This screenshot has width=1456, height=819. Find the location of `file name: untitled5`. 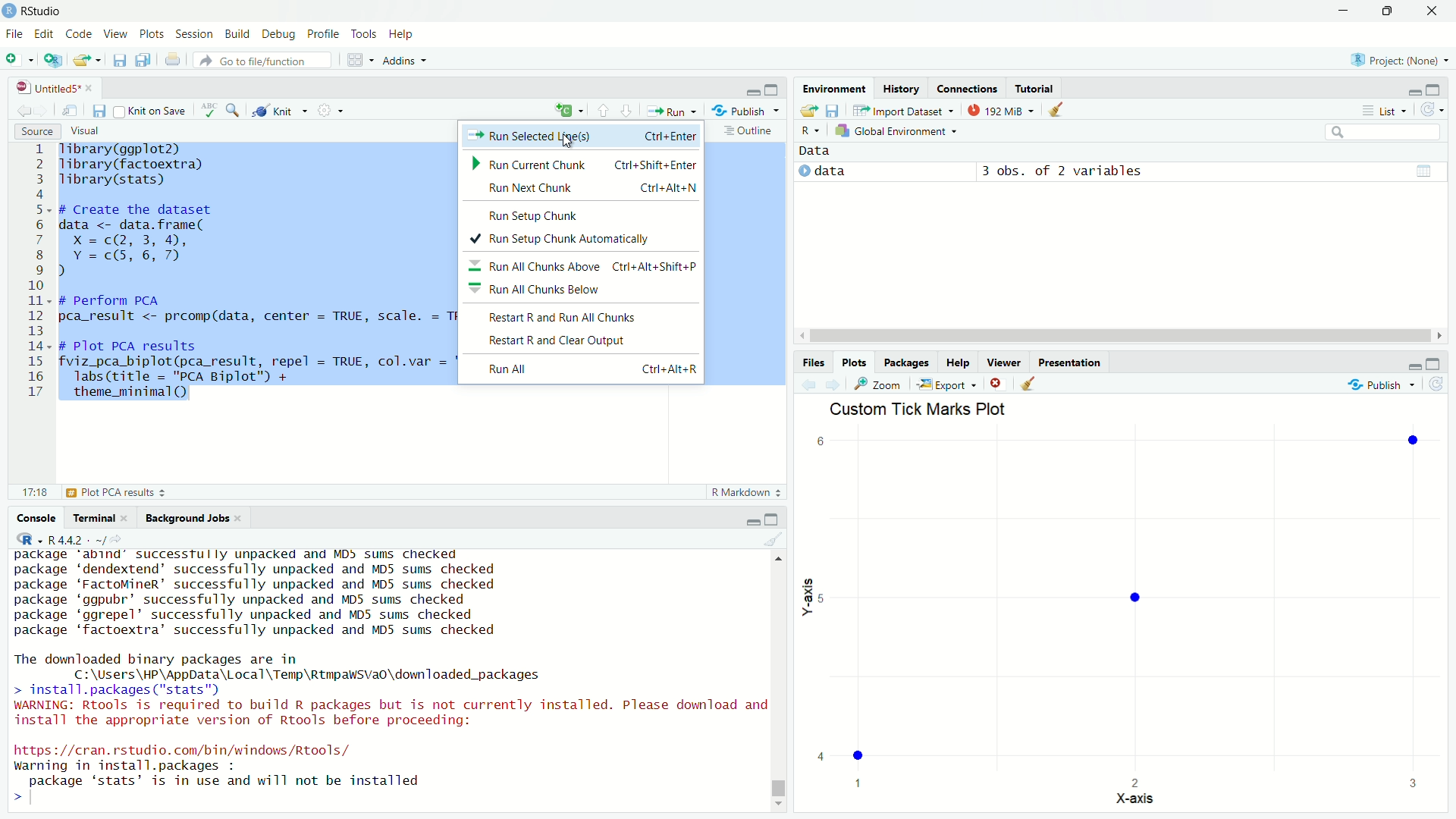

file name: untitled5 is located at coordinates (55, 87).